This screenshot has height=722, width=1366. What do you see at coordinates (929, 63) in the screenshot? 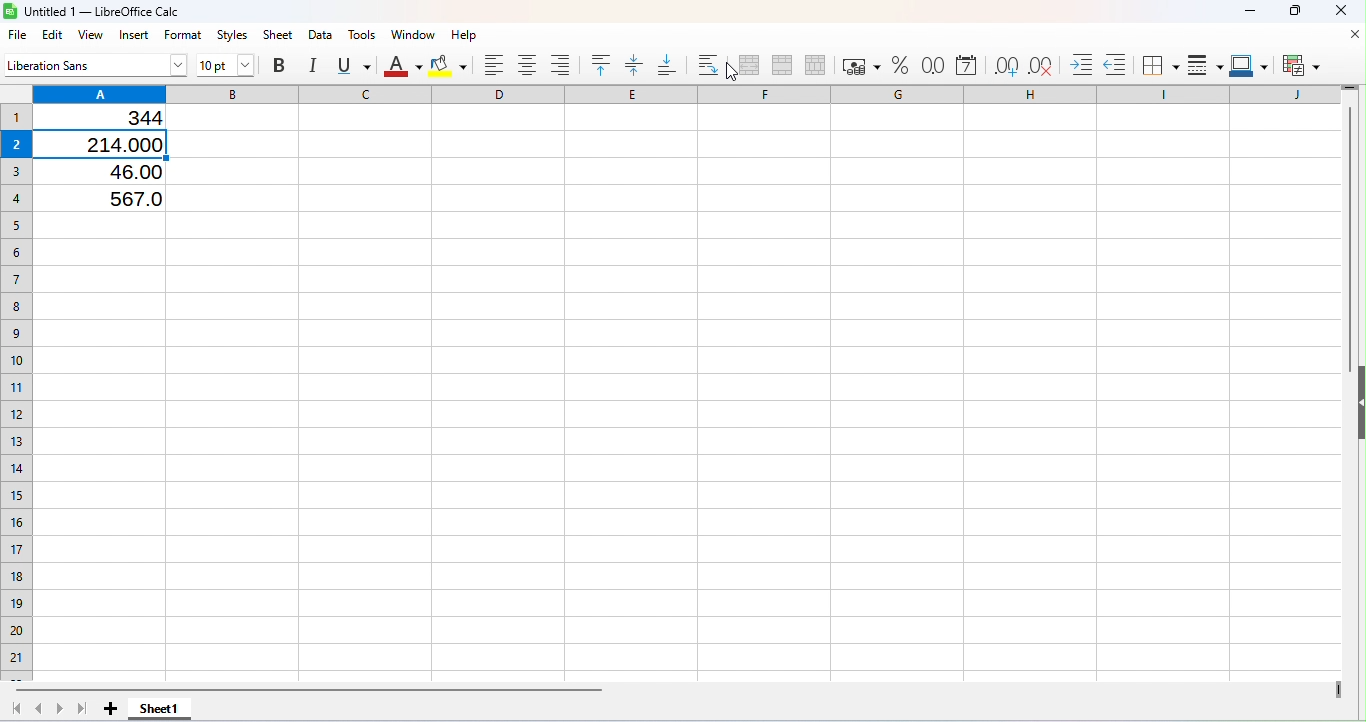
I see `Format as number` at bounding box center [929, 63].